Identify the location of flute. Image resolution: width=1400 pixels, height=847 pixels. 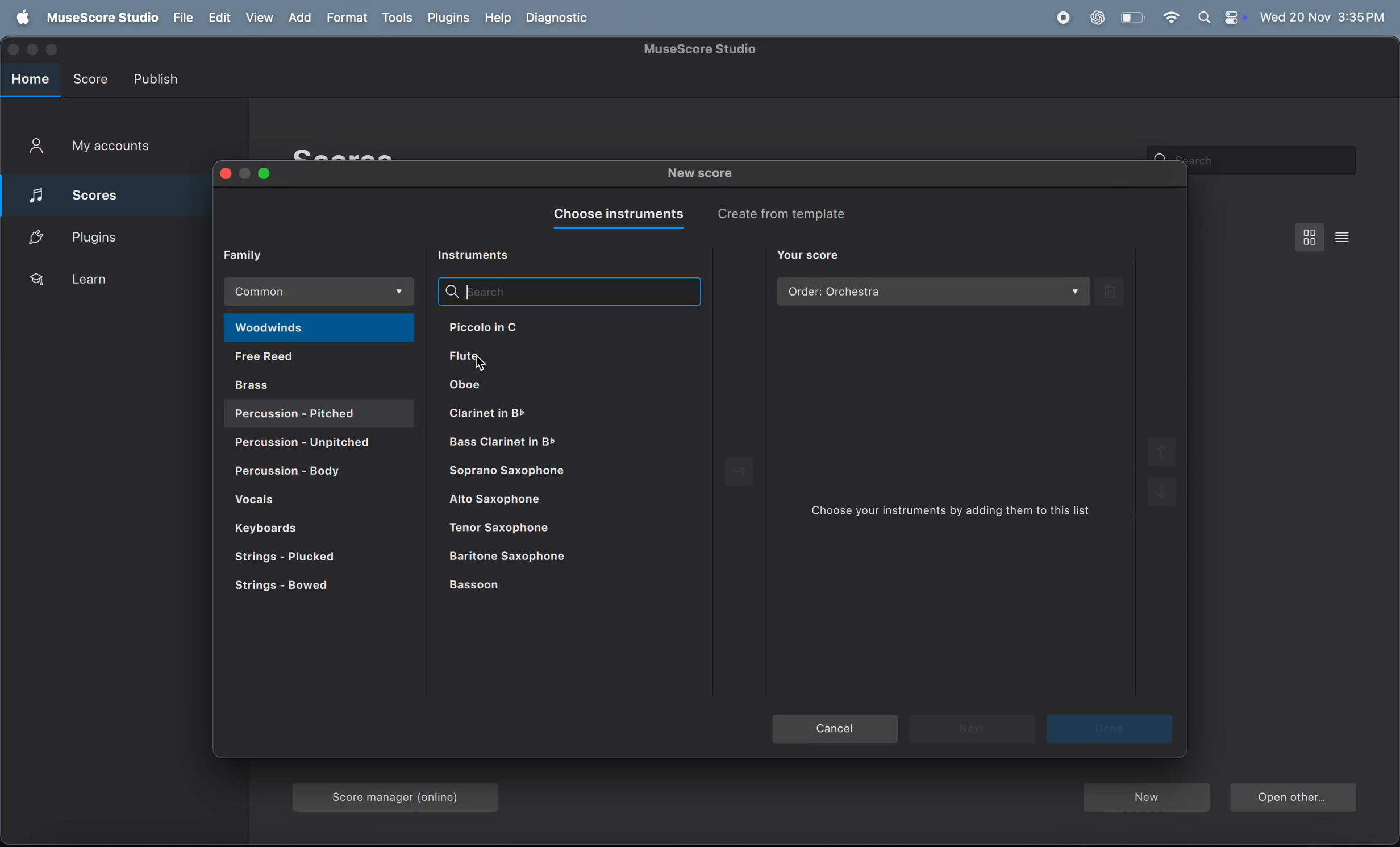
(545, 359).